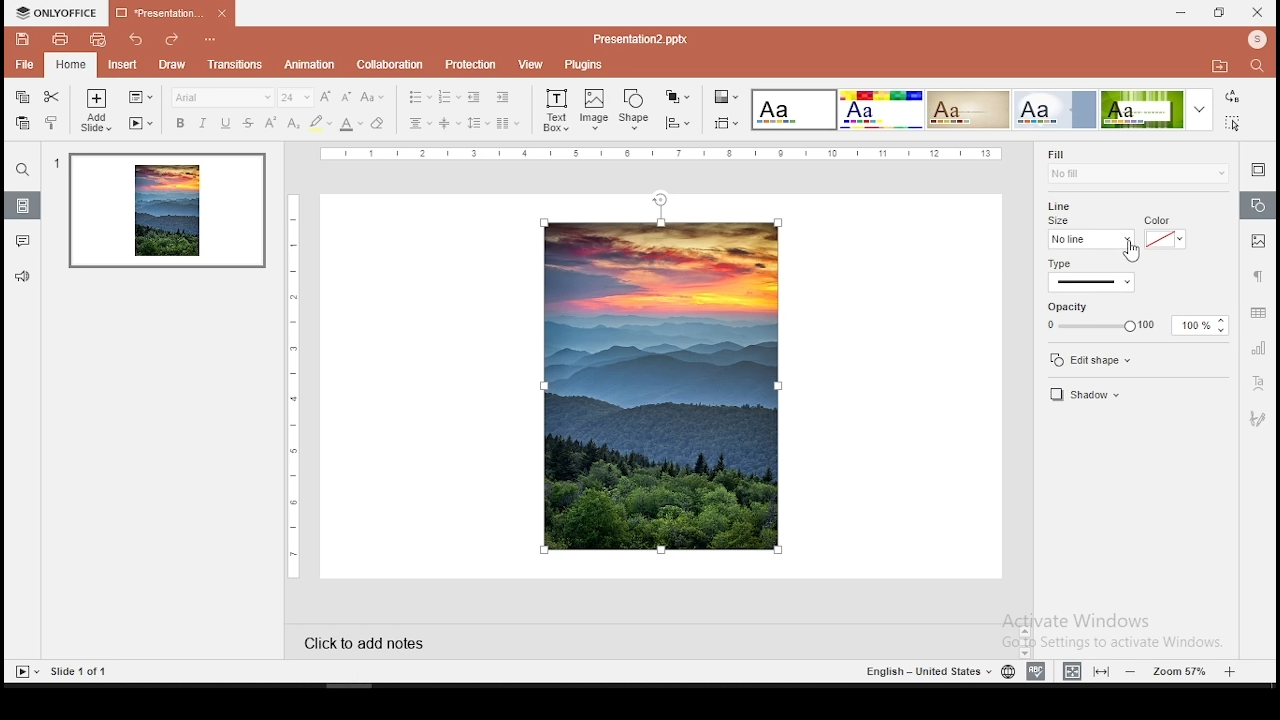 The image size is (1280, 720). I want to click on fit to width, so click(1070, 670).